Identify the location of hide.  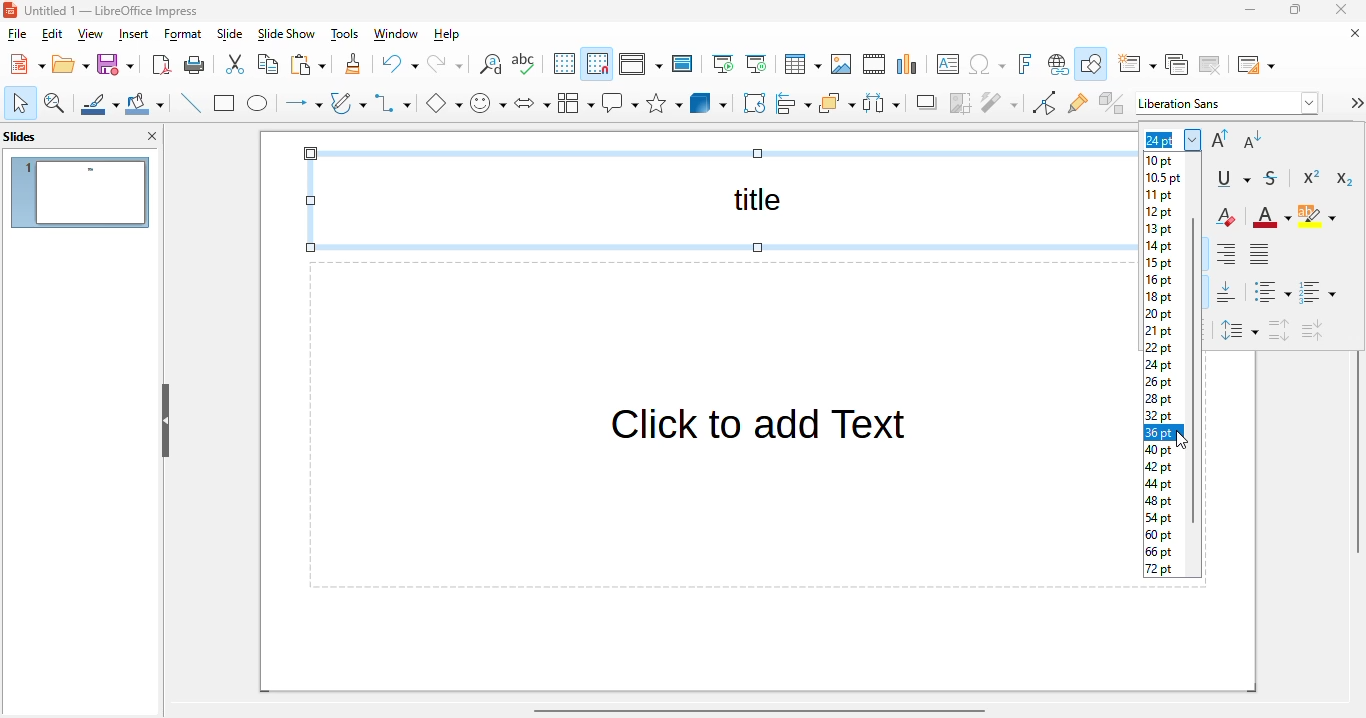
(166, 420).